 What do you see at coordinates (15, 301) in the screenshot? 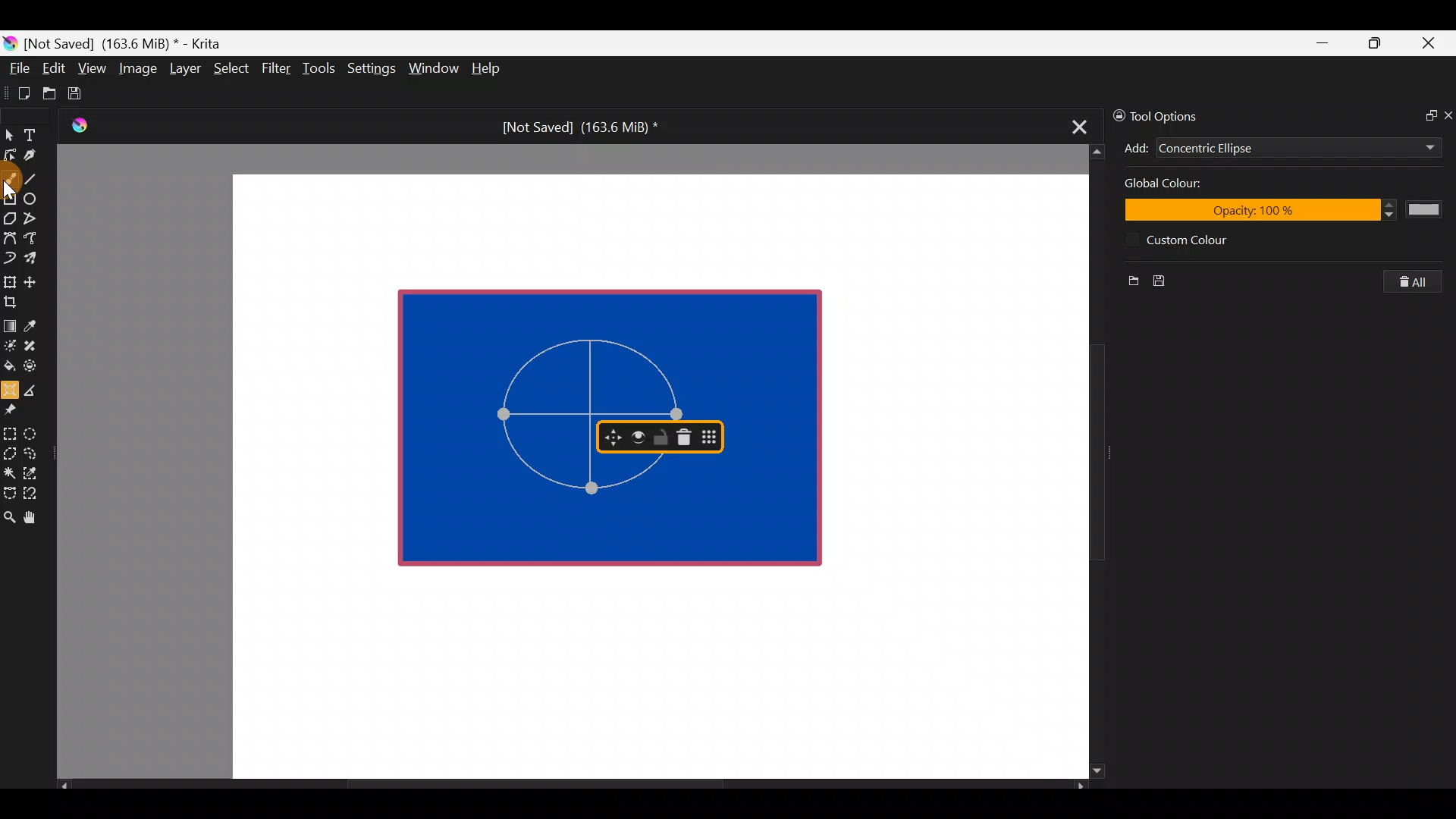
I see `Crop the image to an area` at bounding box center [15, 301].